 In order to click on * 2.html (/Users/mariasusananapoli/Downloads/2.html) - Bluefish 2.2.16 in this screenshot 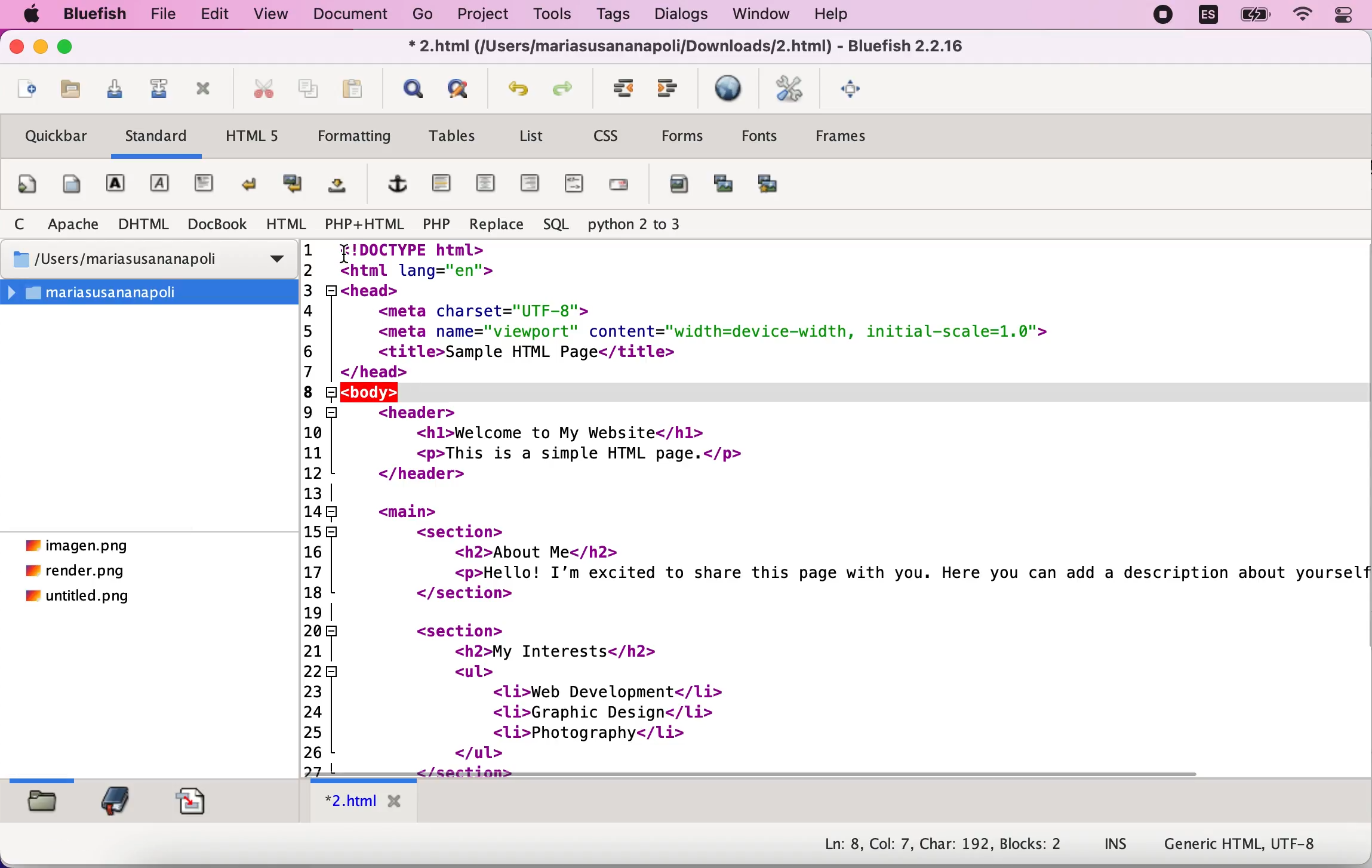, I will do `click(690, 48)`.